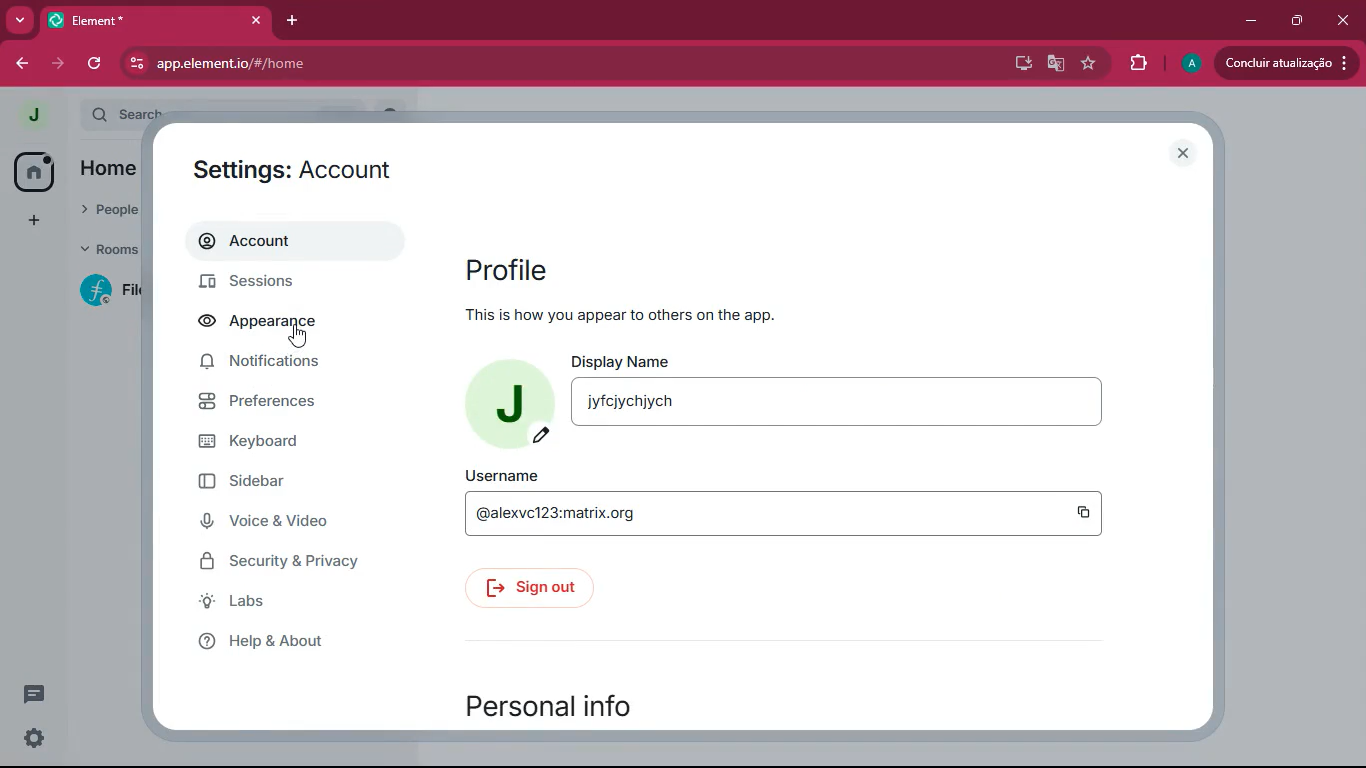 The image size is (1366, 768). What do you see at coordinates (842, 402) in the screenshot?
I see `display name` at bounding box center [842, 402].